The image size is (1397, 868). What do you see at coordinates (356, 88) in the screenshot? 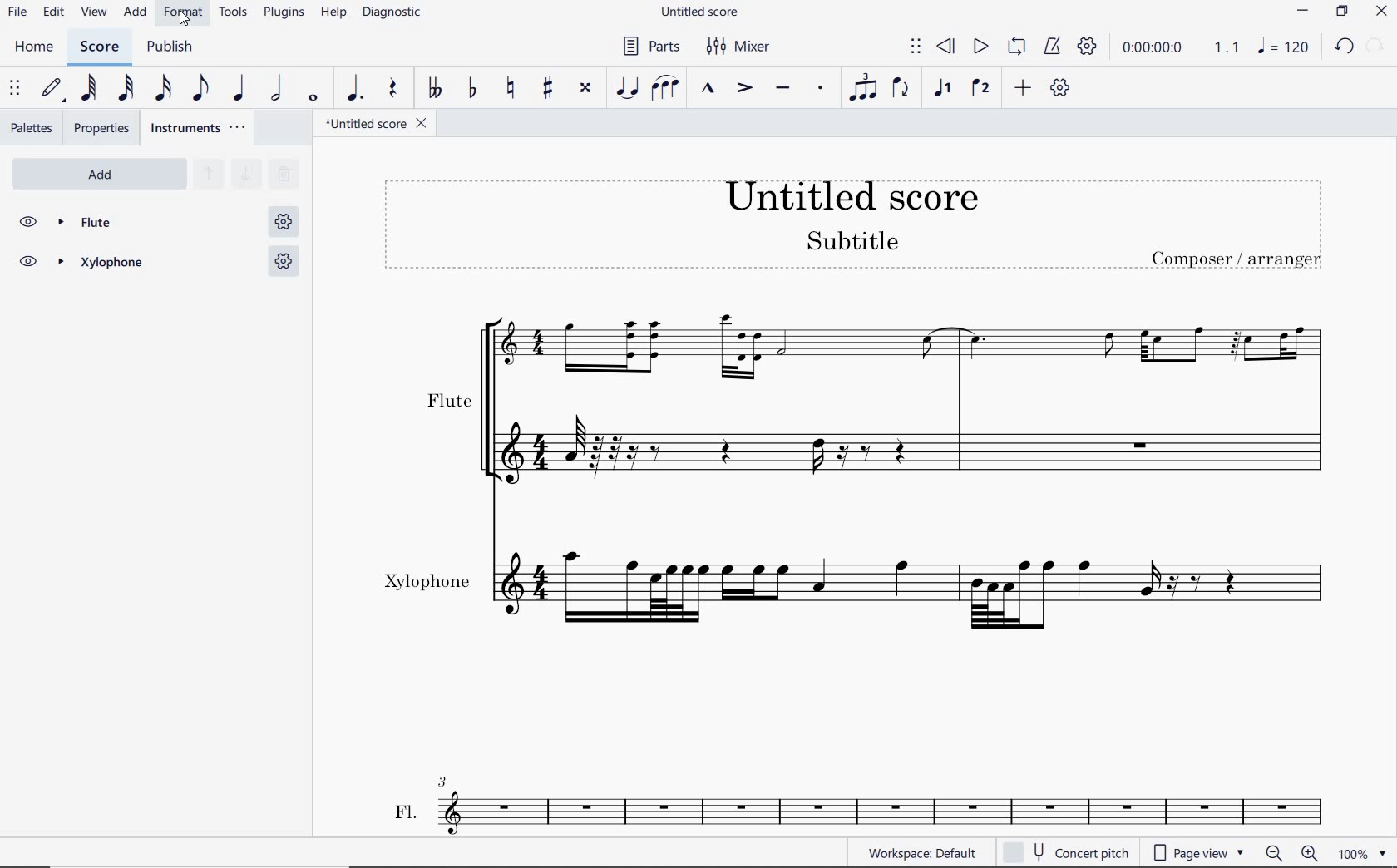
I see `AUGMENTATION DOT` at bounding box center [356, 88].